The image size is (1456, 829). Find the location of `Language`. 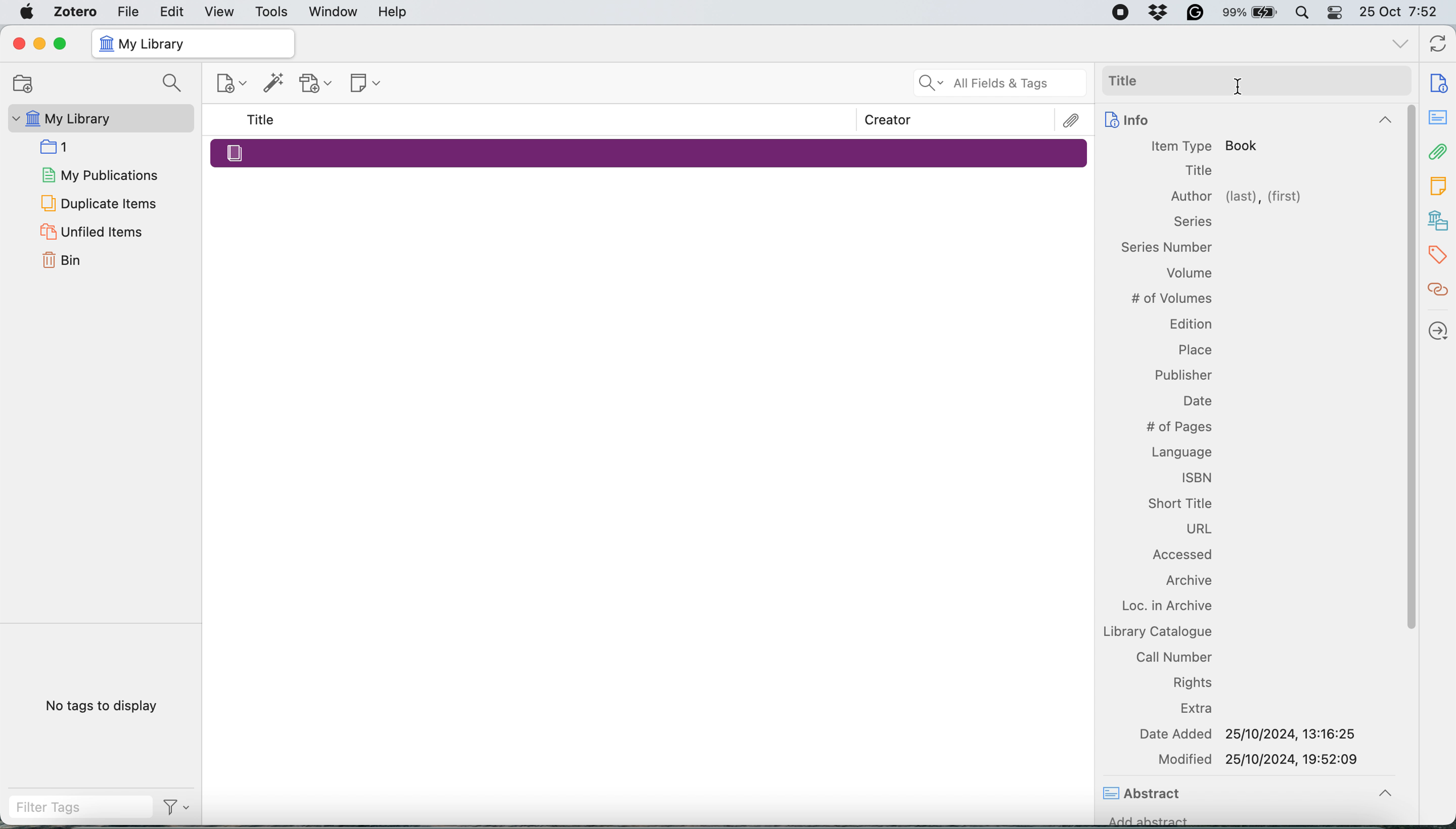

Language is located at coordinates (1181, 450).